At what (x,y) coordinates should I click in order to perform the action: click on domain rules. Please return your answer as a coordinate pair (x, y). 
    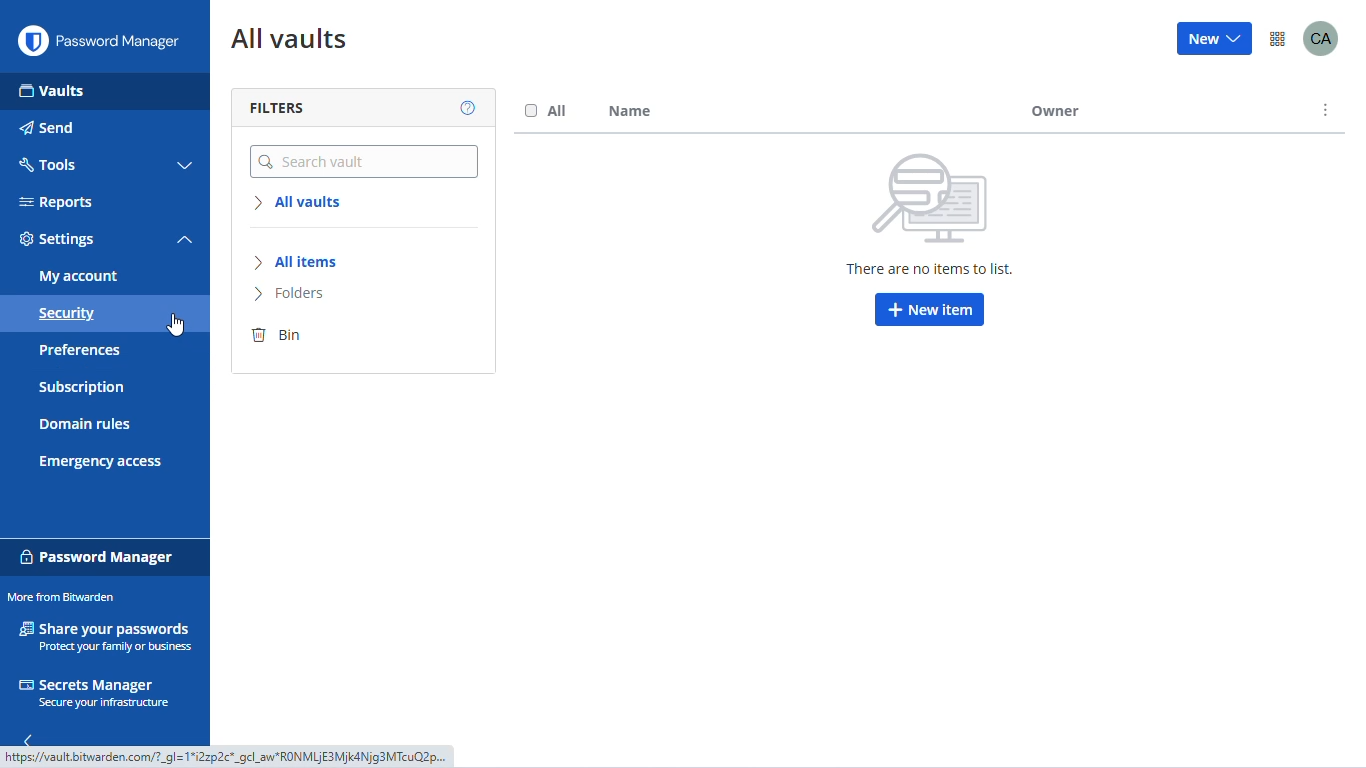
    Looking at the image, I should click on (85, 426).